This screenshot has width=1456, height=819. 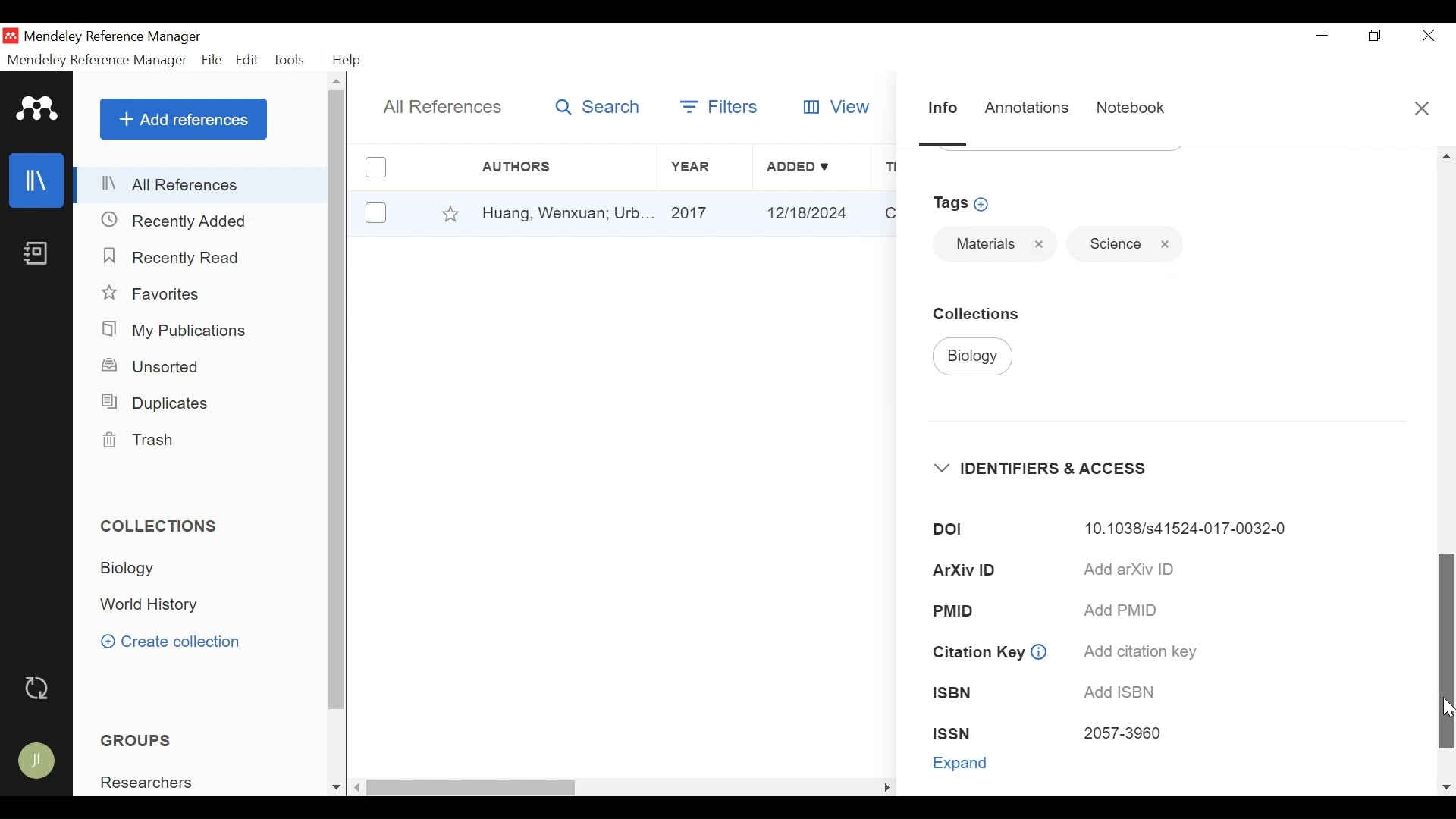 I want to click on PMID, so click(x=954, y=610).